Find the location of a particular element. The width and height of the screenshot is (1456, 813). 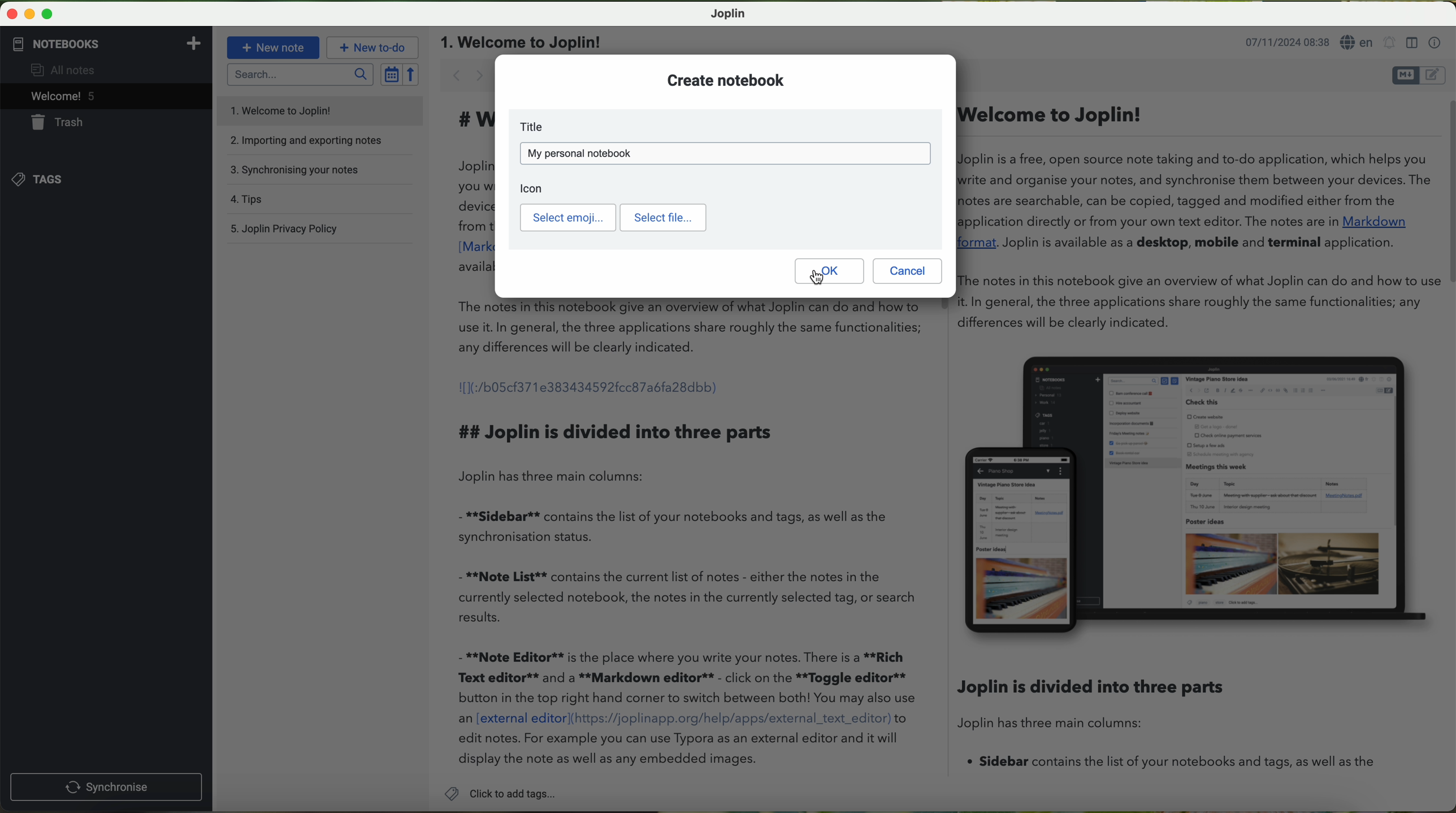

add notebooks is located at coordinates (192, 42).